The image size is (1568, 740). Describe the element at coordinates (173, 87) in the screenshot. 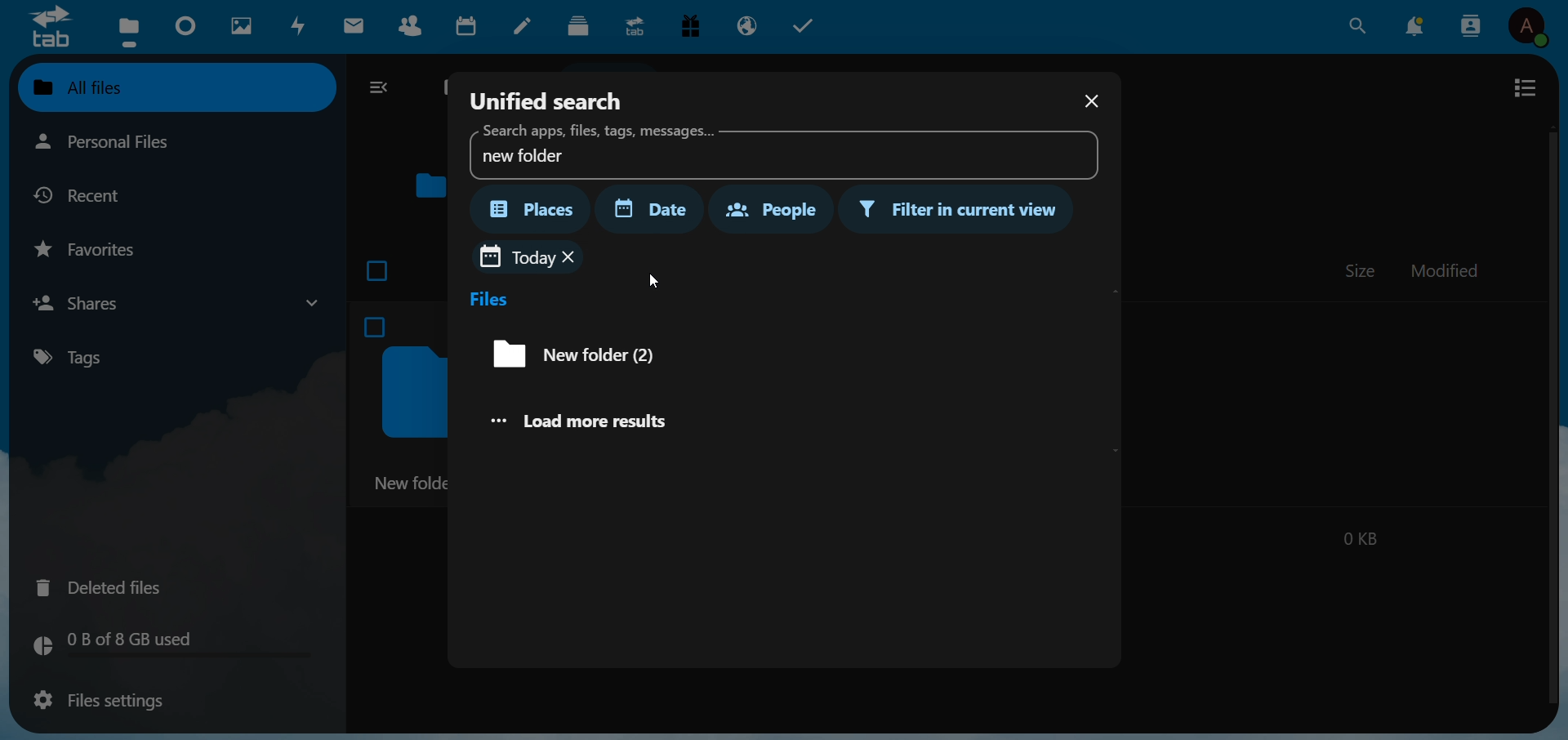

I see `all files` at that location.